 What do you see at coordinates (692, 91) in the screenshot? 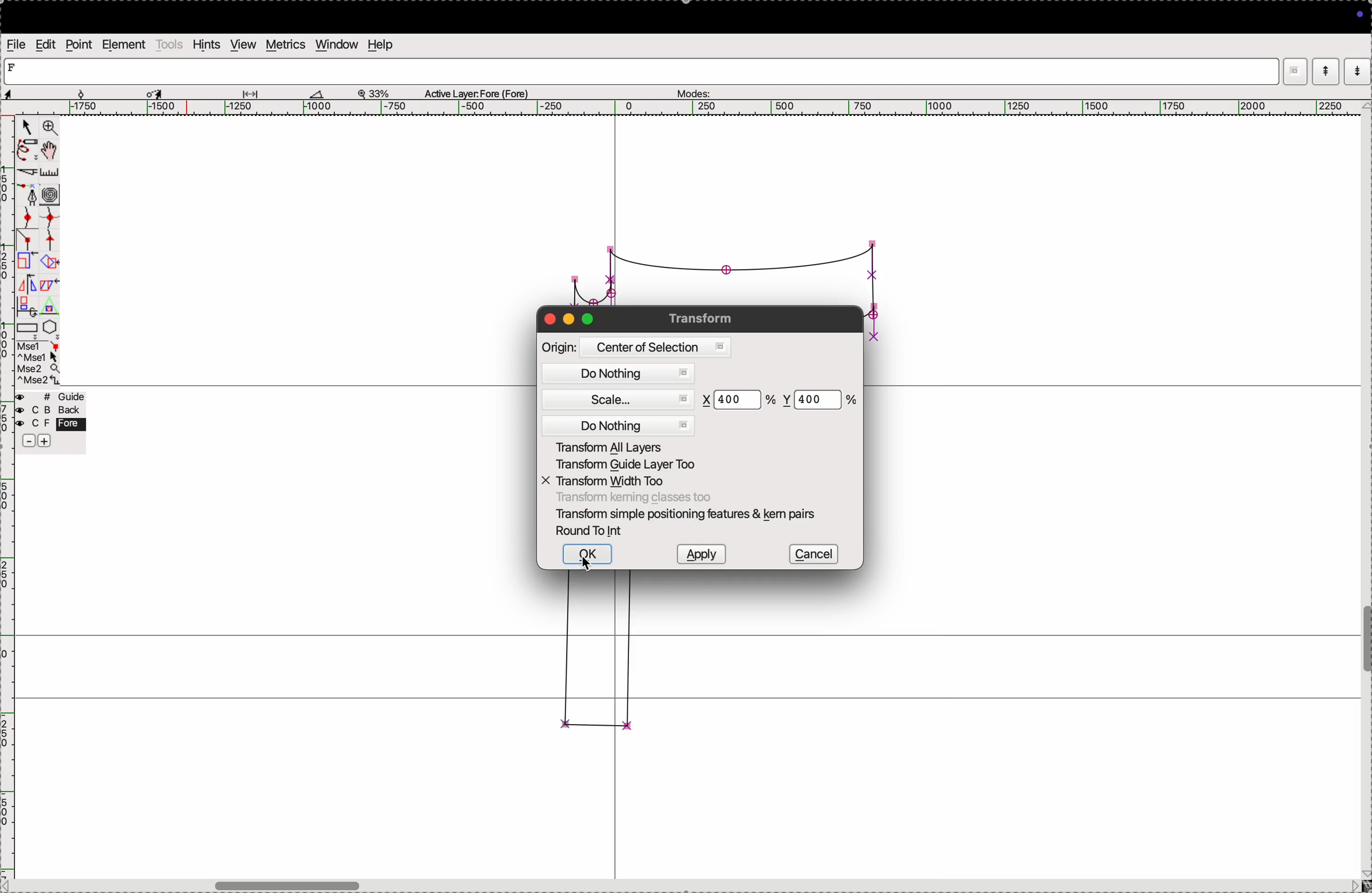
I see `modes` at bounding box center [692, 91].